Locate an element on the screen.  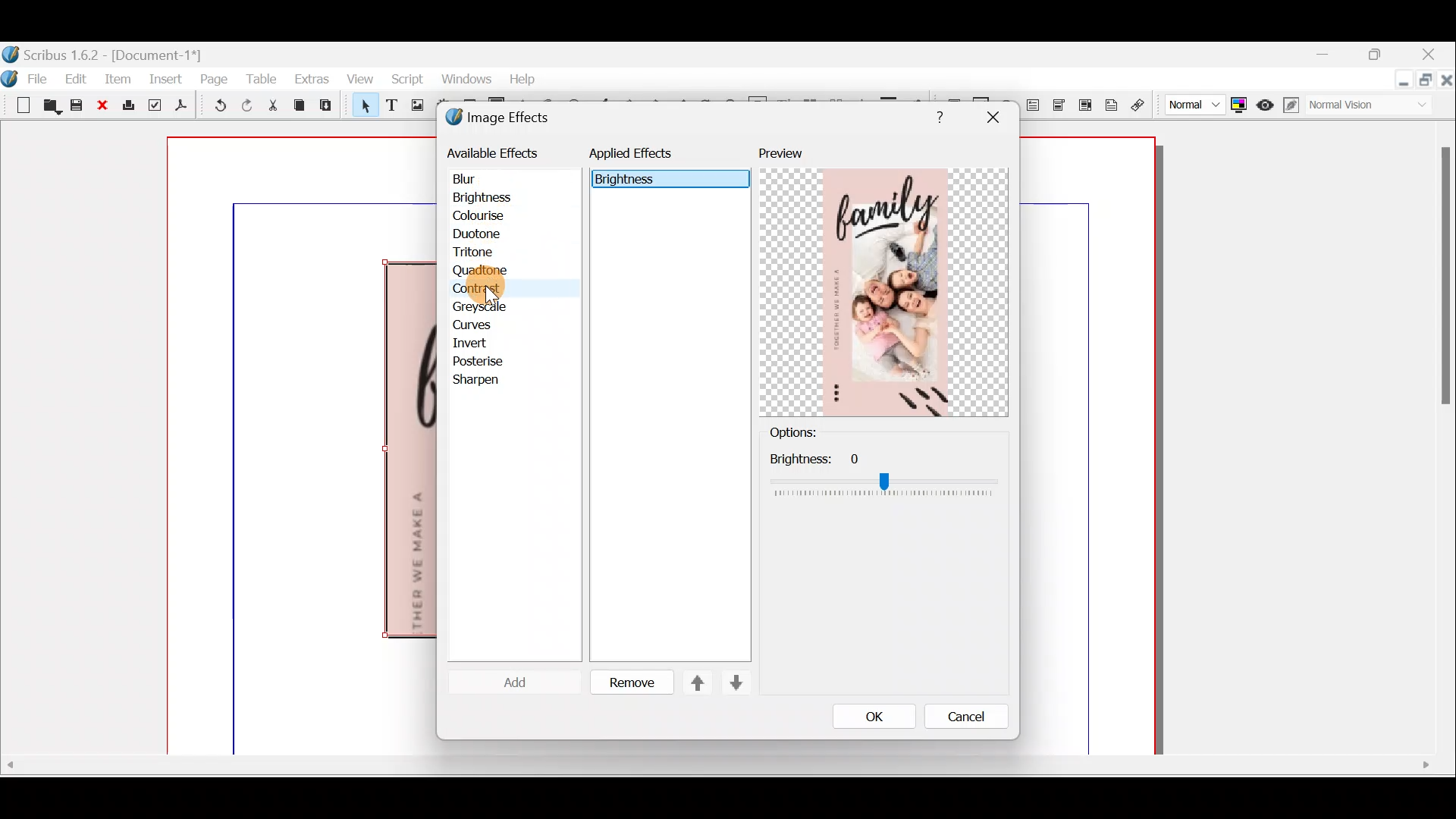
Redo is located at coordinates (246, 105).